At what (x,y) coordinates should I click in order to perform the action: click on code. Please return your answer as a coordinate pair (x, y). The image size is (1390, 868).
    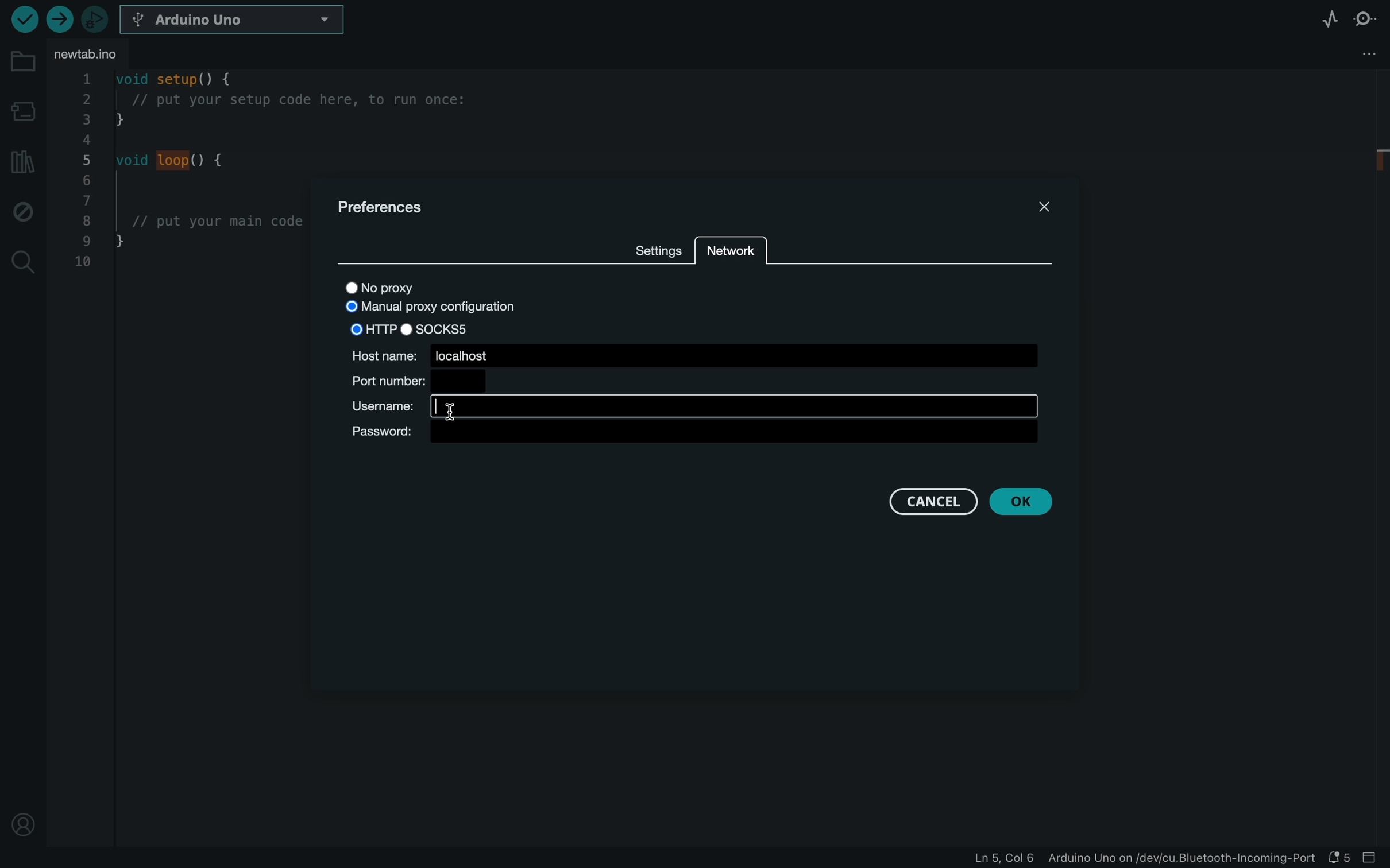
    Looking at the image, I should click on (186, 203).